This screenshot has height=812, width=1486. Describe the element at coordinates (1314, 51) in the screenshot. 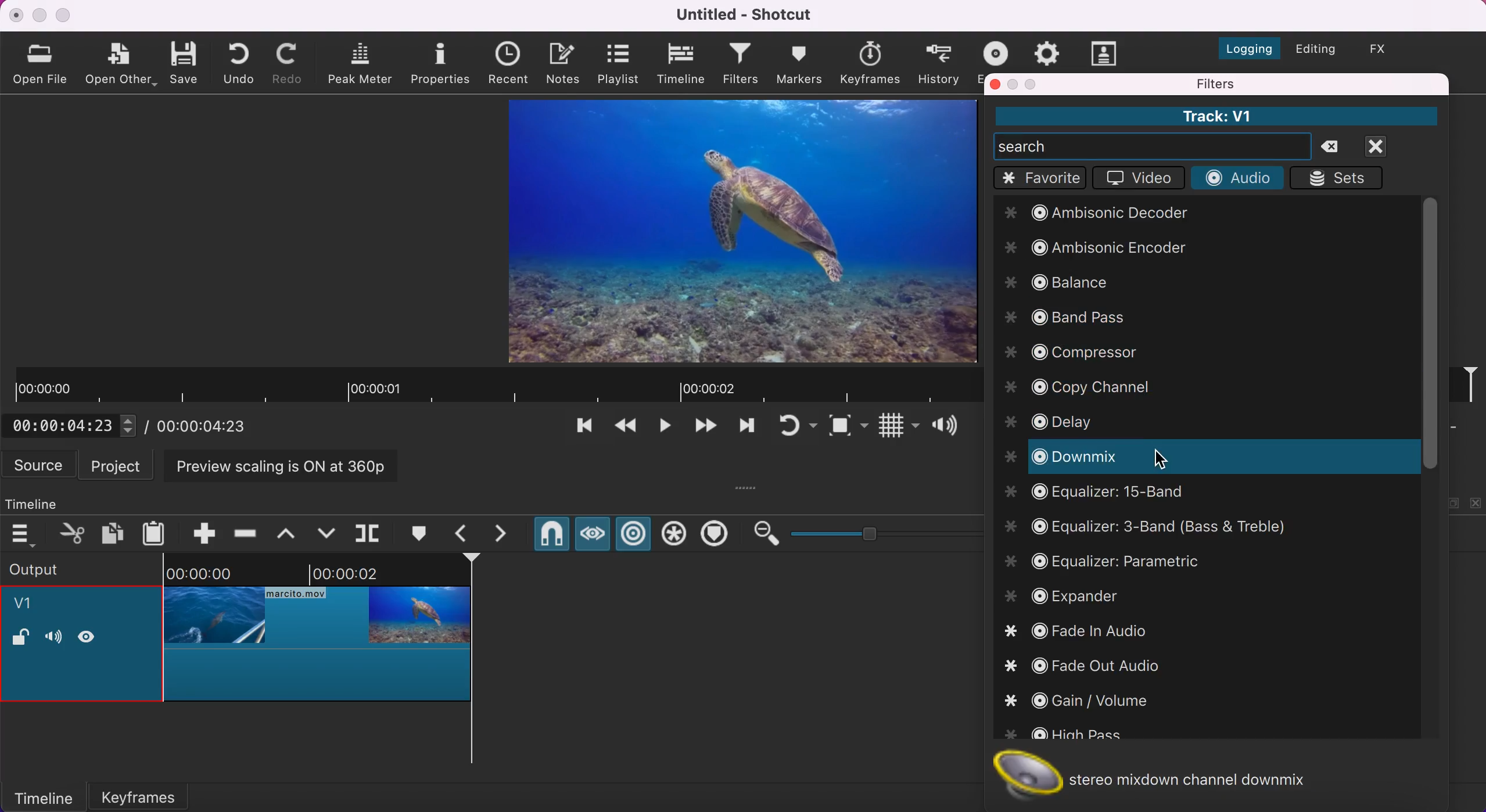

I see `switch to the editing layout` at that location.